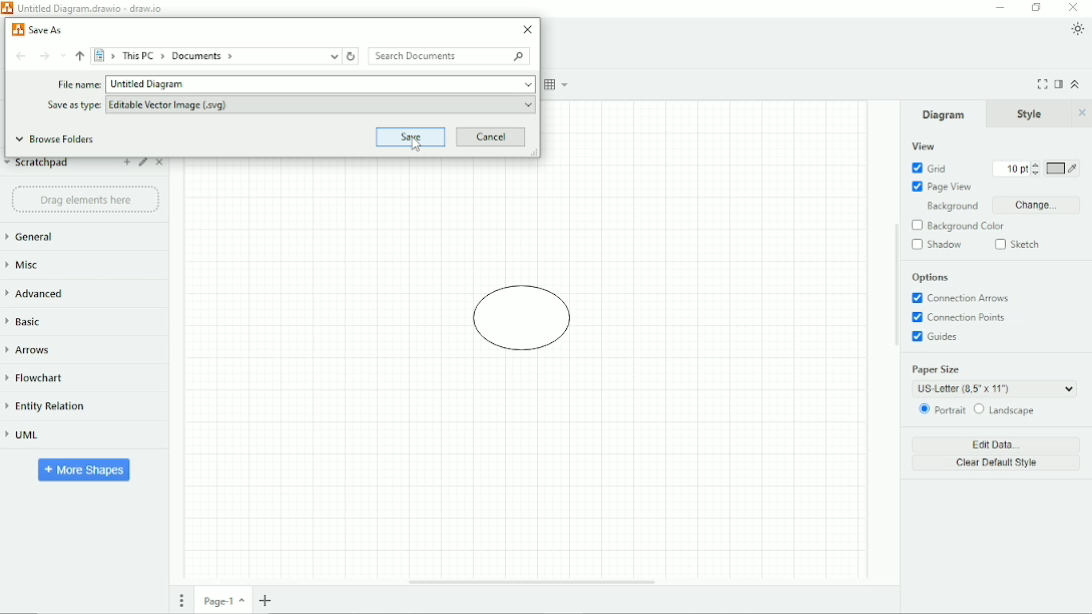  What do you see at coordinates (216, 56) in the screenshot?
I see `> This PC > Documents >` at bounding box center [216, 56].